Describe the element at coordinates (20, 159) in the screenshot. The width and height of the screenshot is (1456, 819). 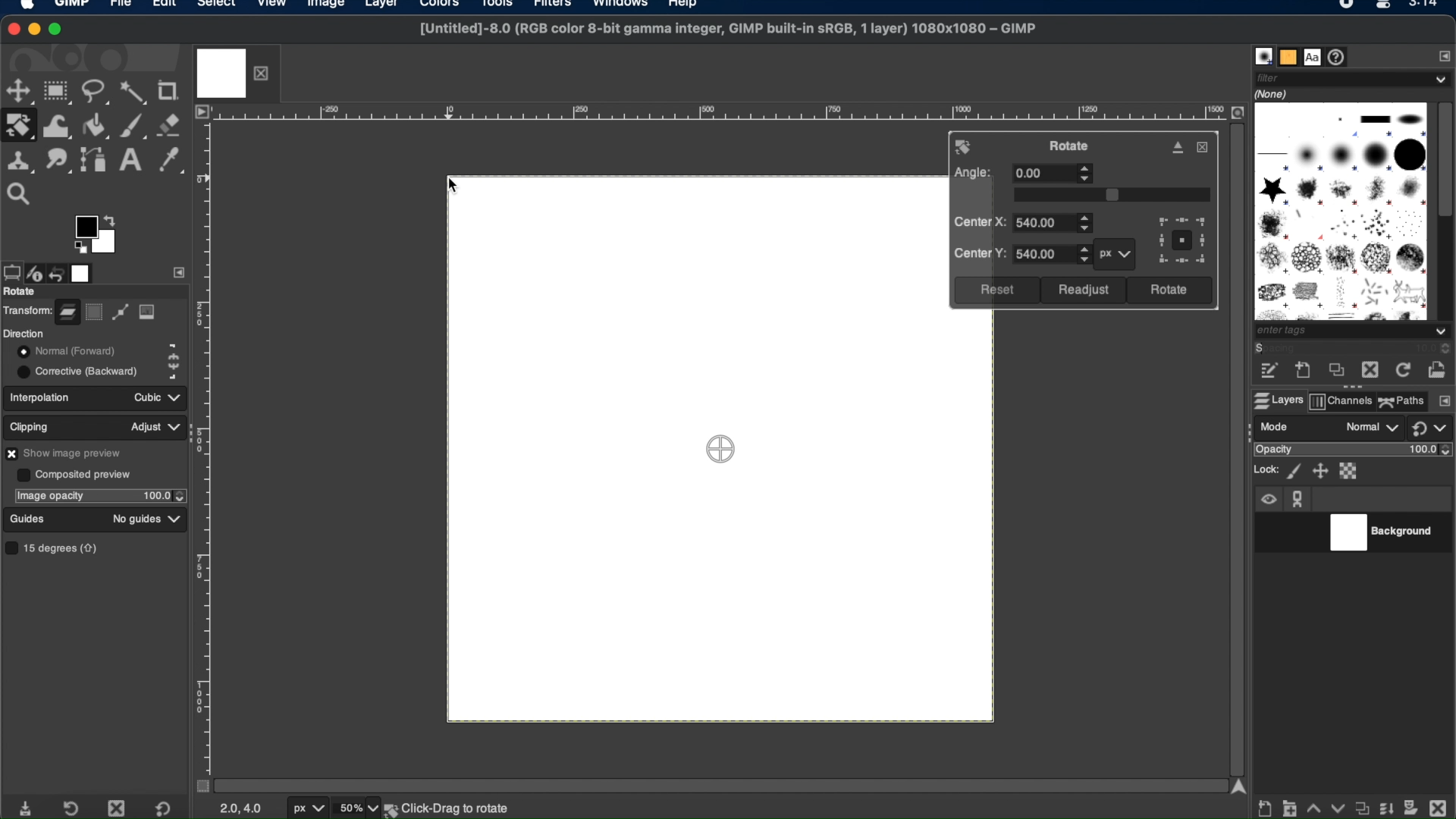
I see `clone tool` at that location.